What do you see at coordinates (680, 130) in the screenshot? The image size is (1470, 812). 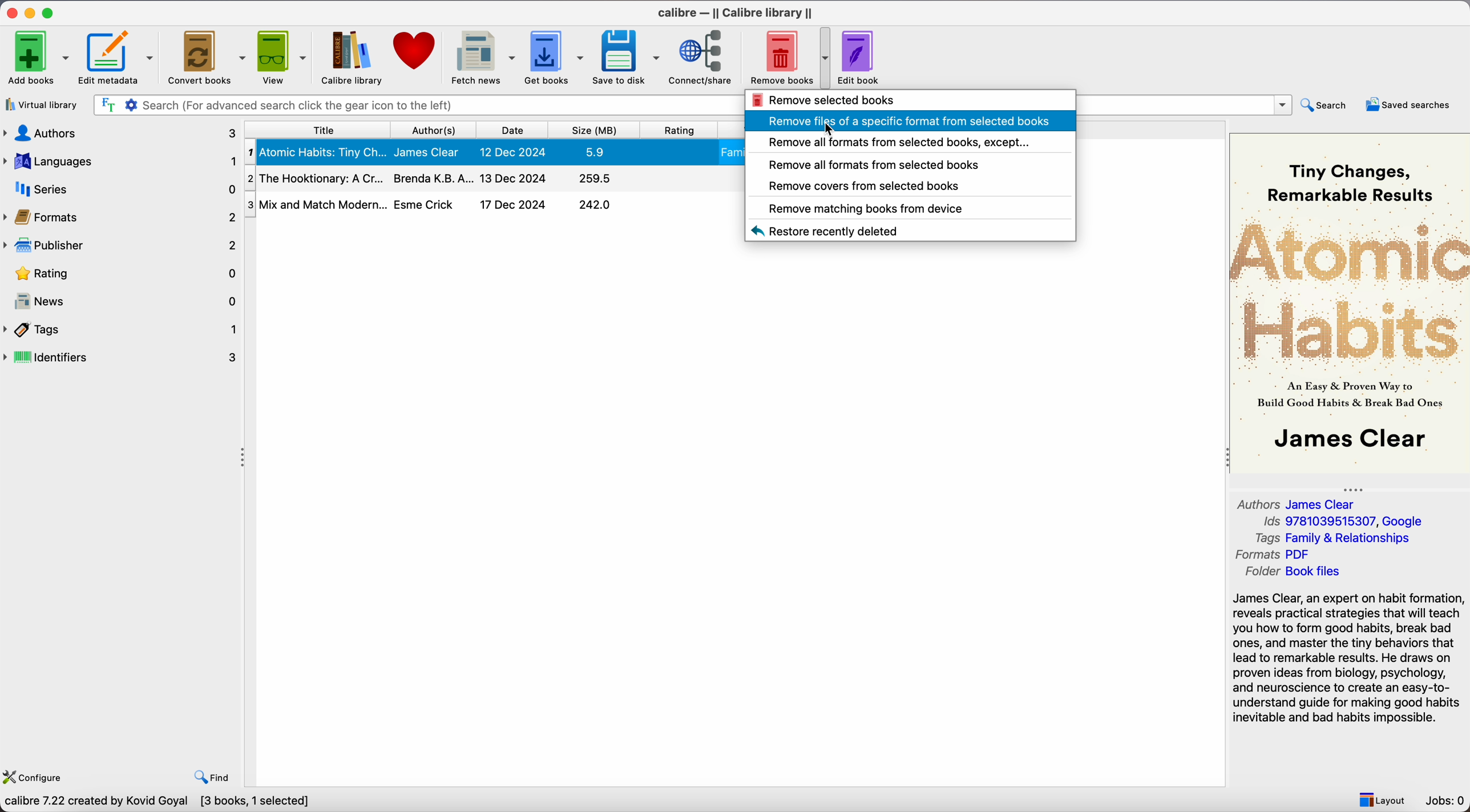 I see `rating` at bounding box center [680, 130].